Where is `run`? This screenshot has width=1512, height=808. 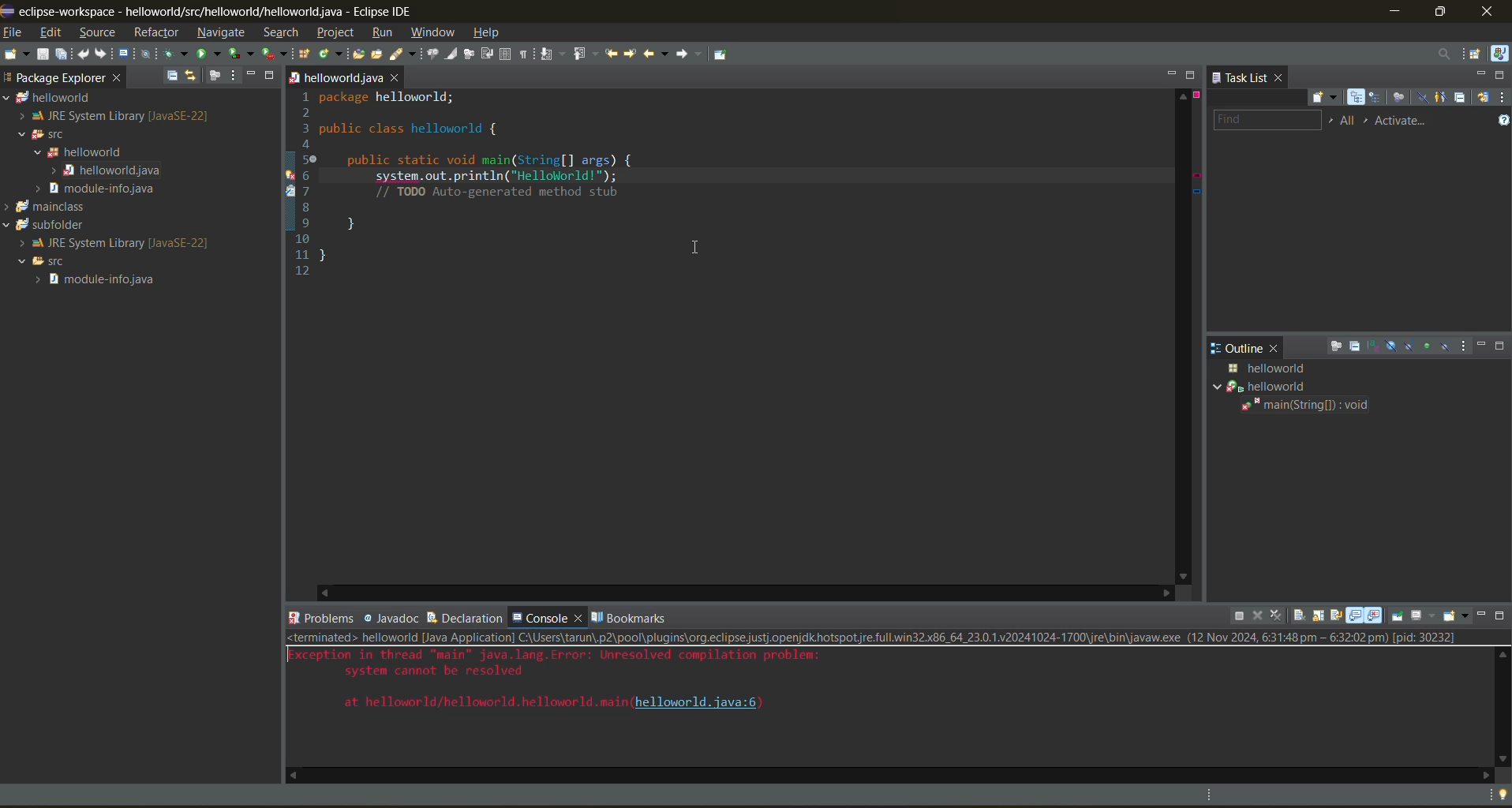 run is located at coordinates (210, 54).